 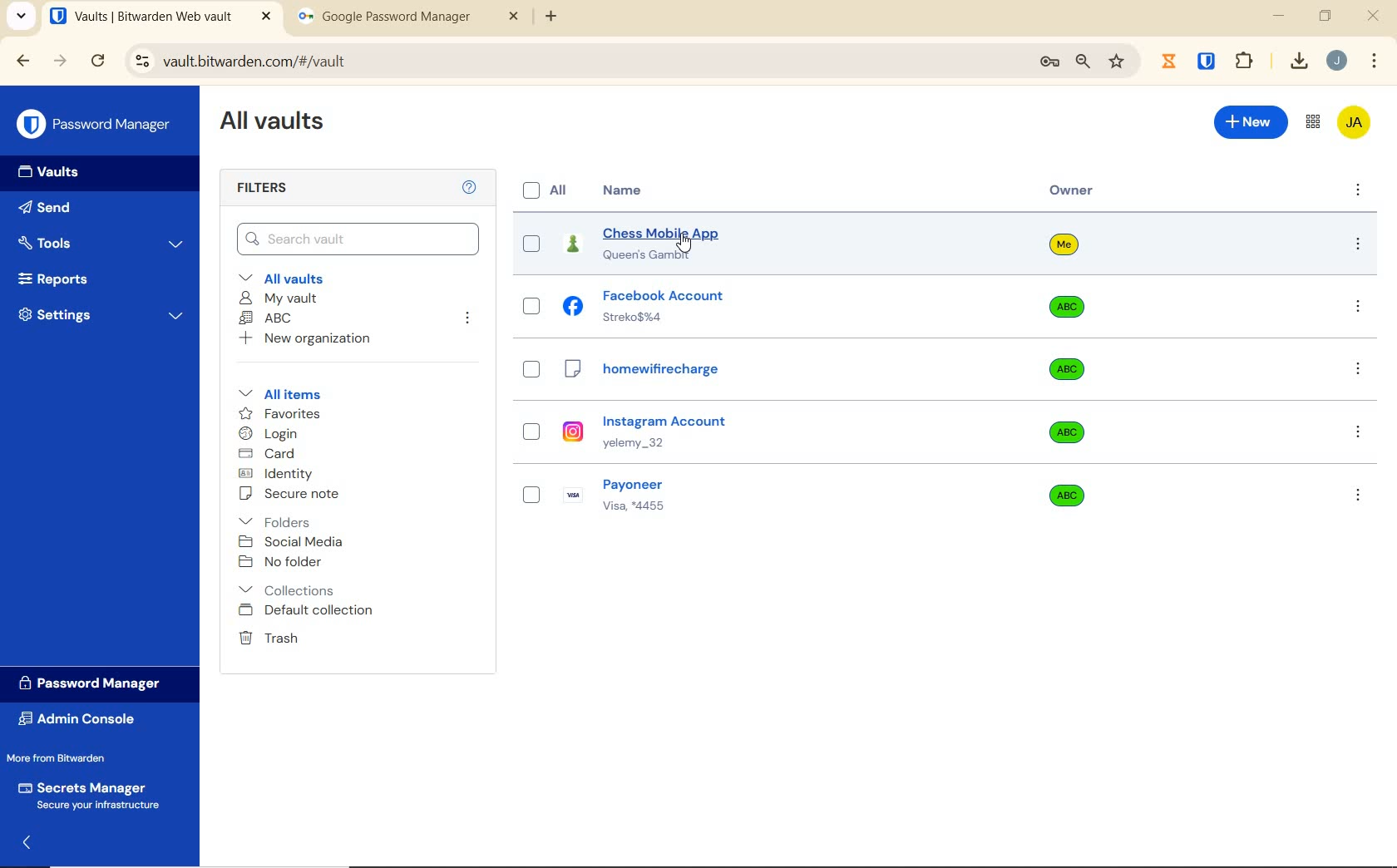 What do you see at coordinates (288, 521) in the screenshot?
I see `folders` at bounding box center [288, 521].